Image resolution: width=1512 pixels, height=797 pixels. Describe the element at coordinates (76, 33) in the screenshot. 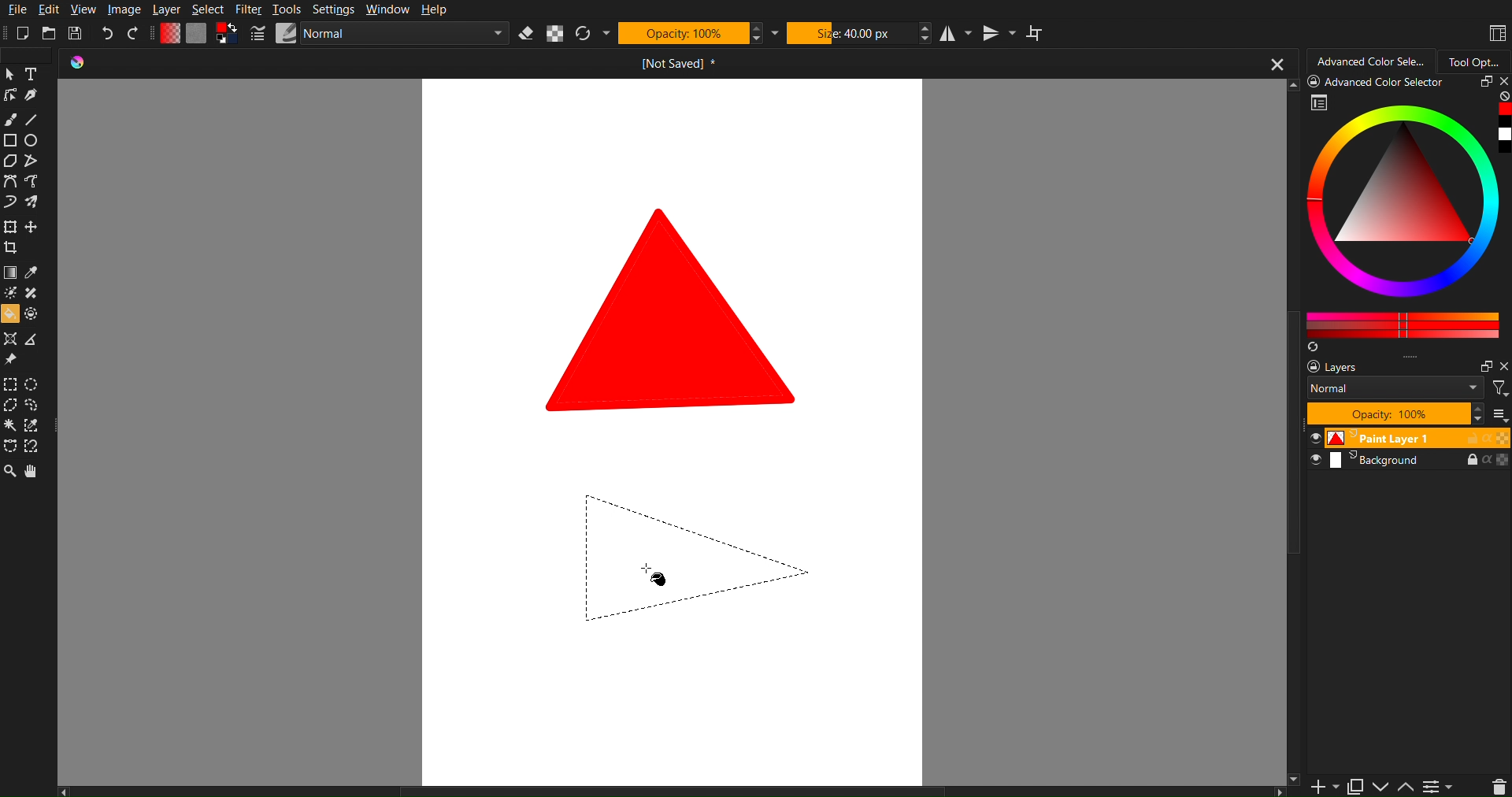

I see `Save` at that location.